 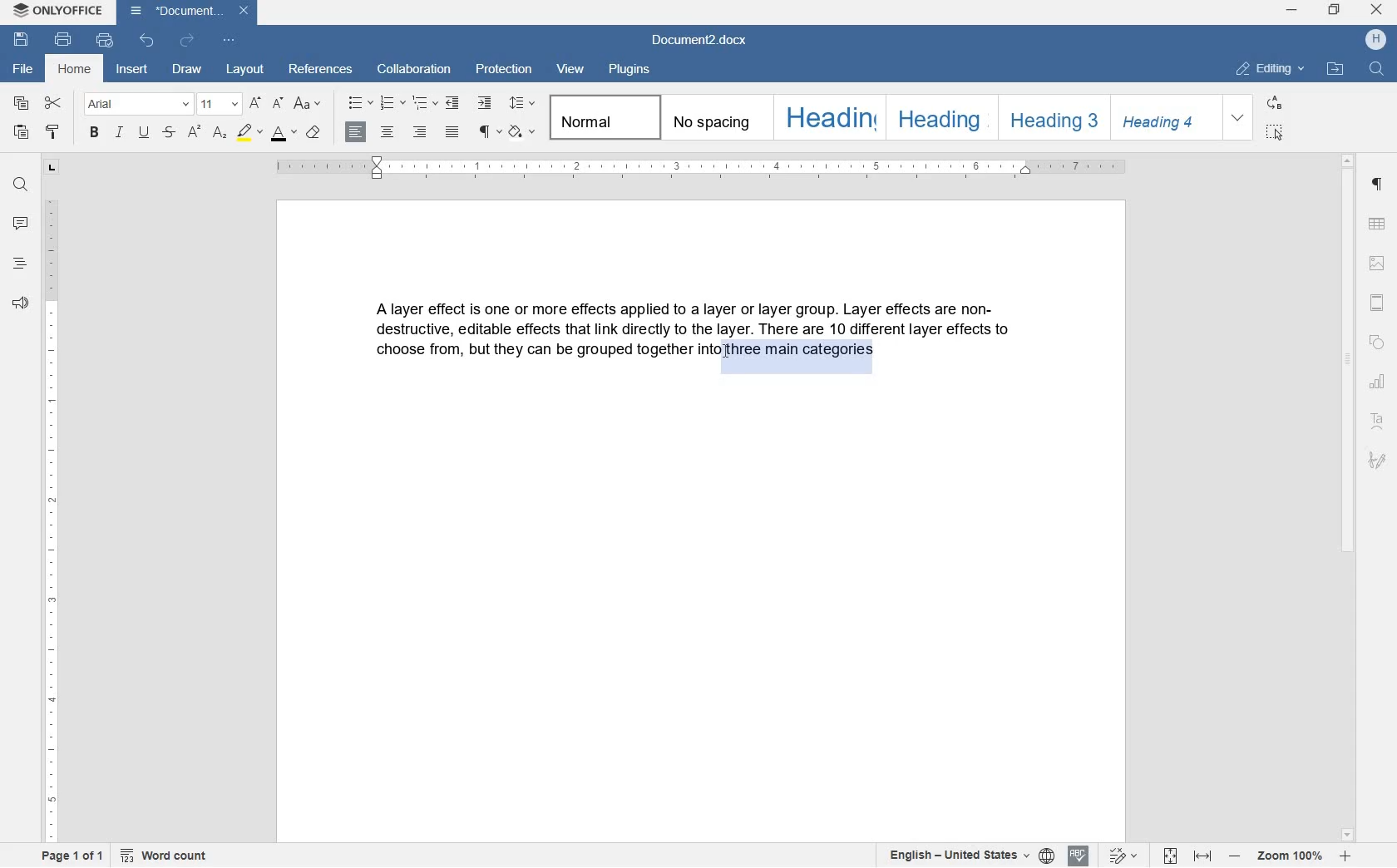 I want to click on text art, so click(x=1380, y=424).